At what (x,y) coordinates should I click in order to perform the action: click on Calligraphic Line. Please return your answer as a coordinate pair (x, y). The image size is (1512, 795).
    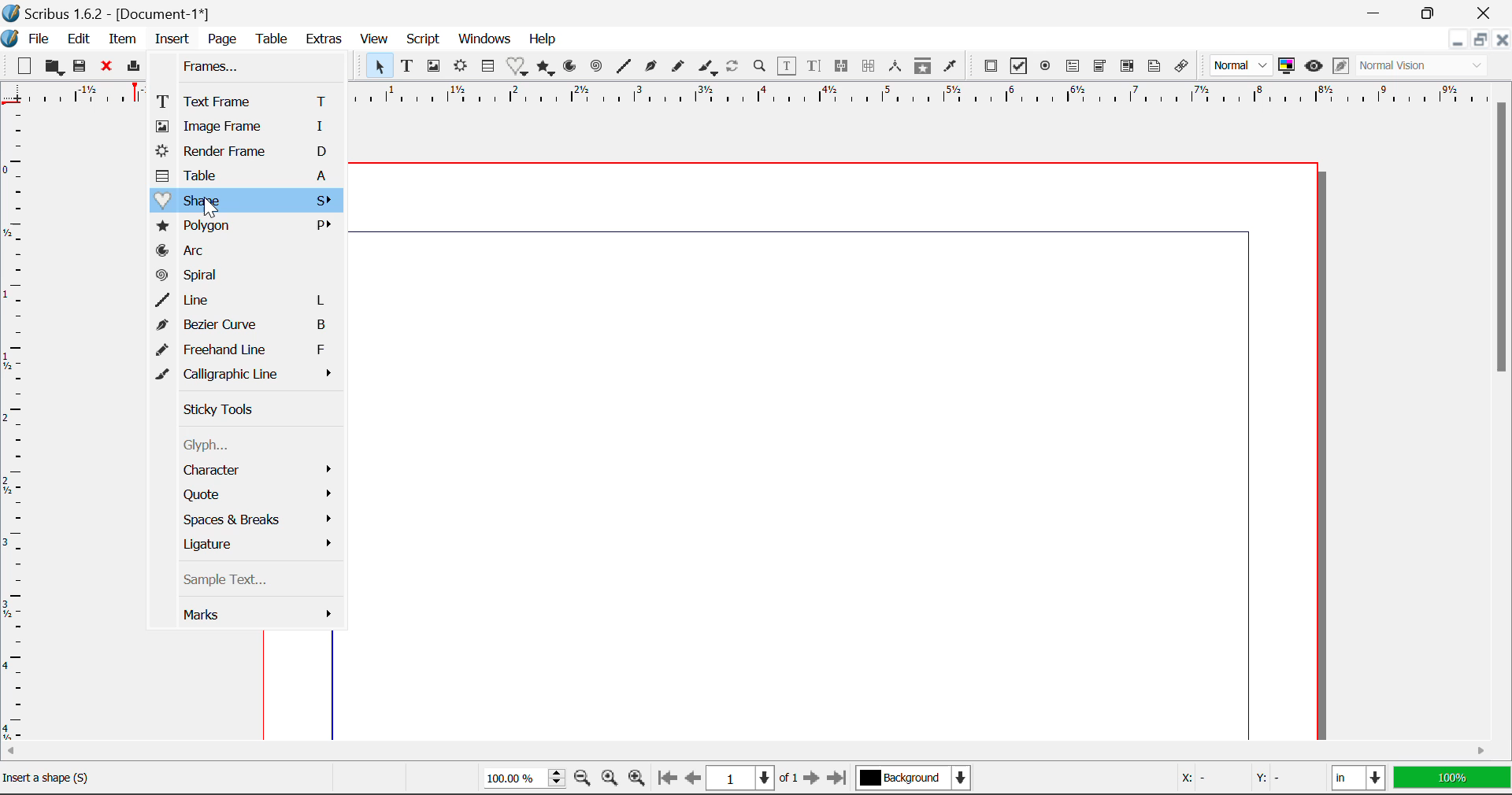
    Looking at the image, I should click on (249, 376).